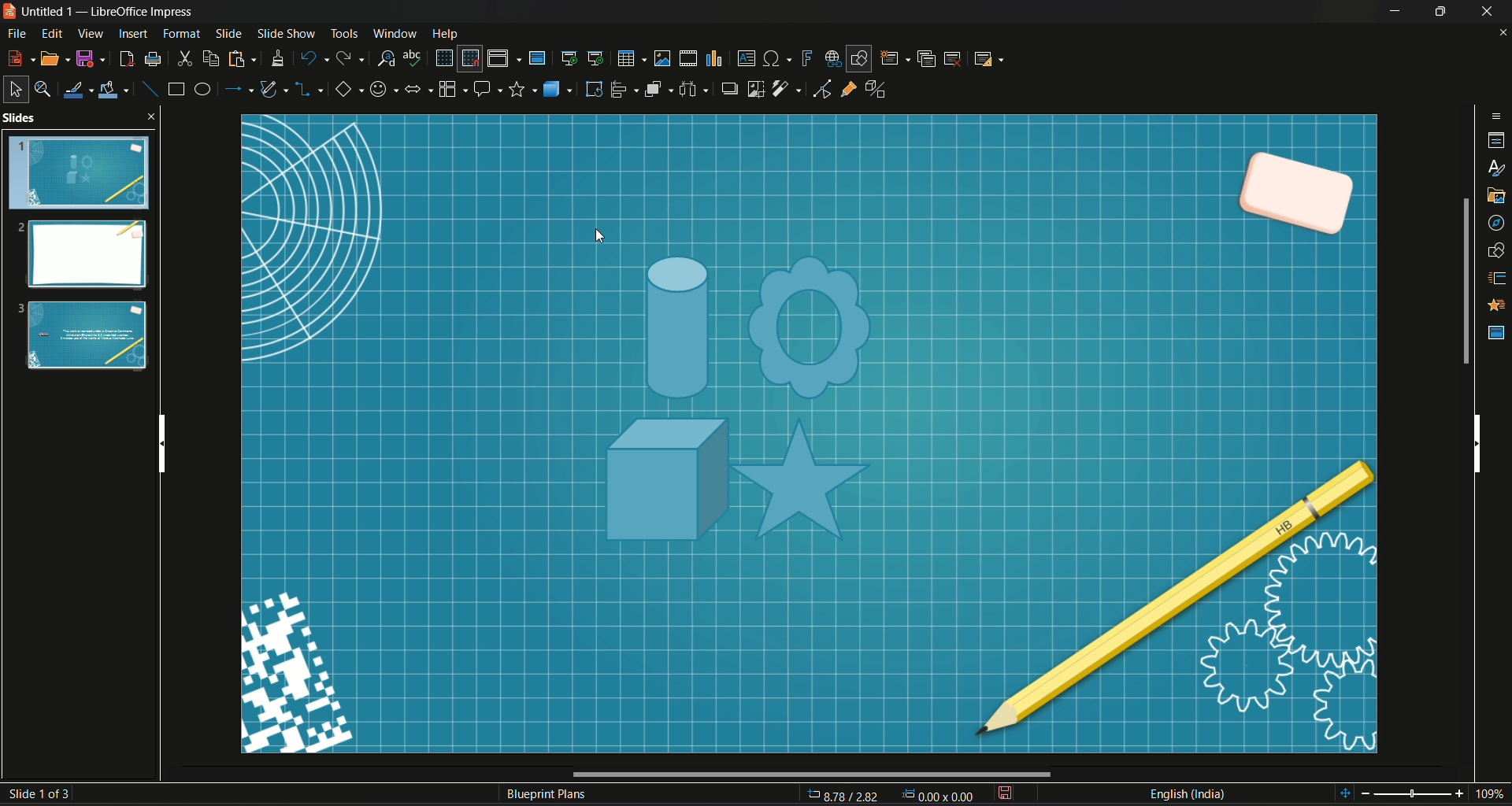 Image resolution: width=1512 pixels, height=806 pixels. Describe the element at coordinates (727, 87) in the screenshot. I see `shadow` at that location.